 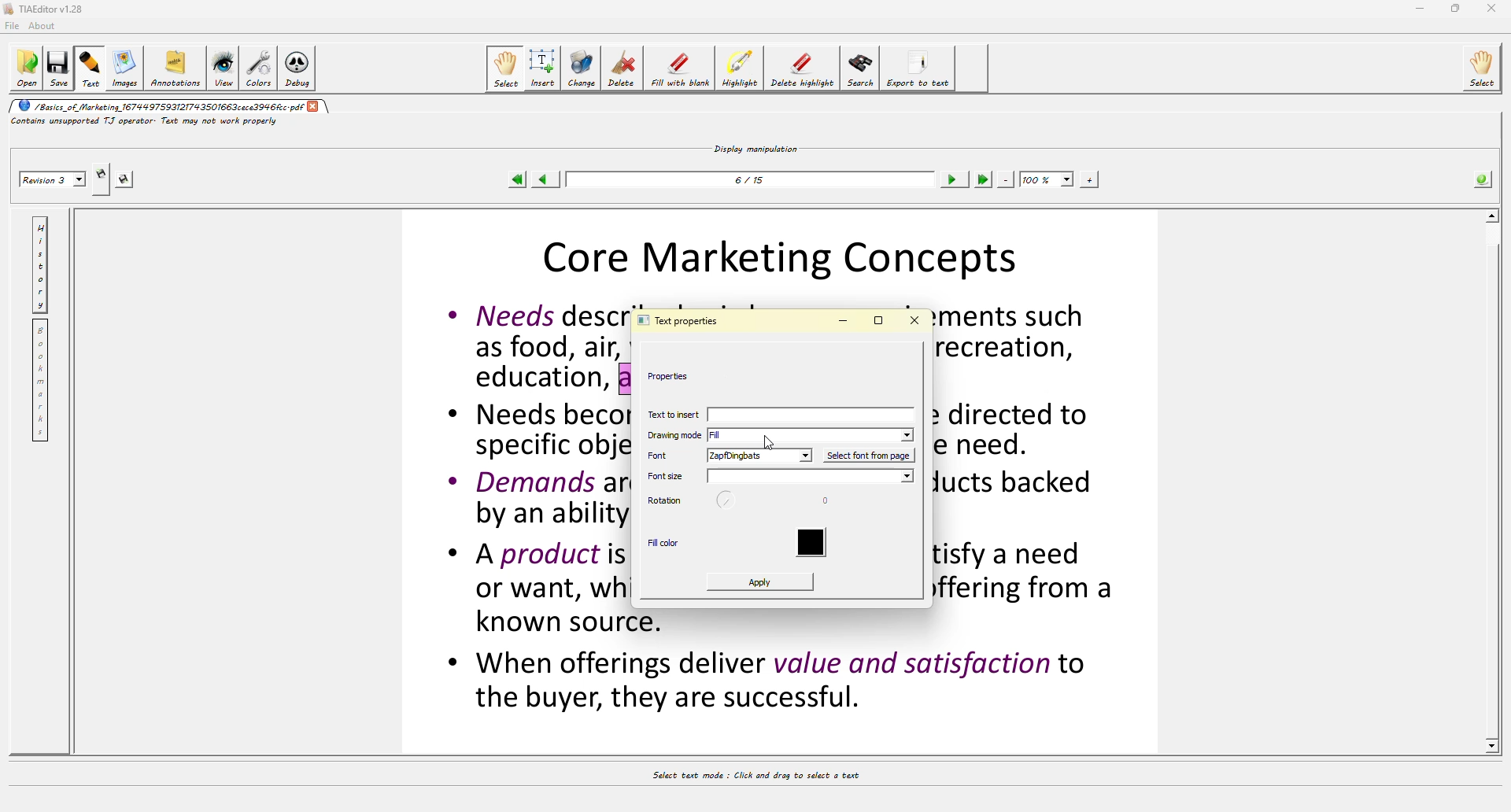 What do you see at coordinates (517, 180) in the screenshot?
I see `first page` at bounding box center [517, 180].